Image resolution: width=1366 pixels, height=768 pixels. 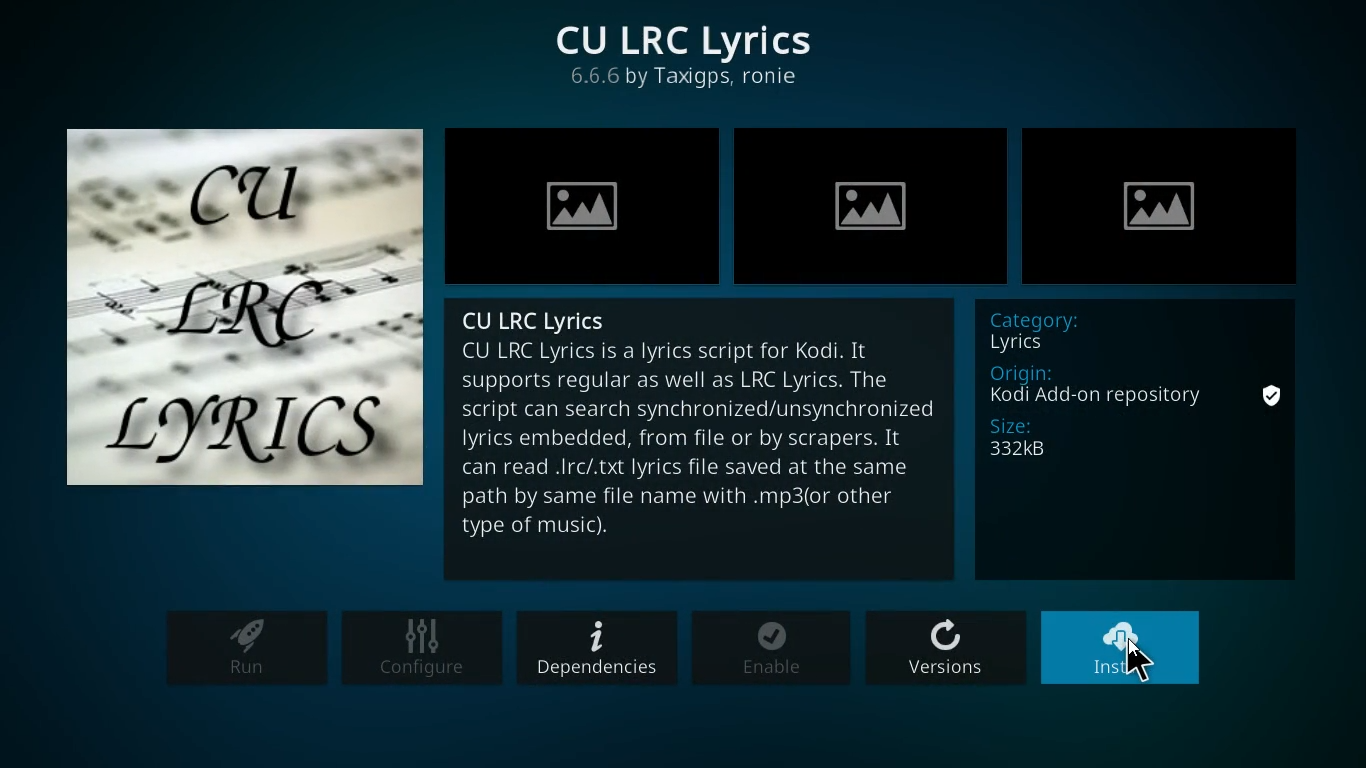 What do you see at coordinates (1073, 331) in the screenshot?
I see `category` at bounding box center [1073, 331].